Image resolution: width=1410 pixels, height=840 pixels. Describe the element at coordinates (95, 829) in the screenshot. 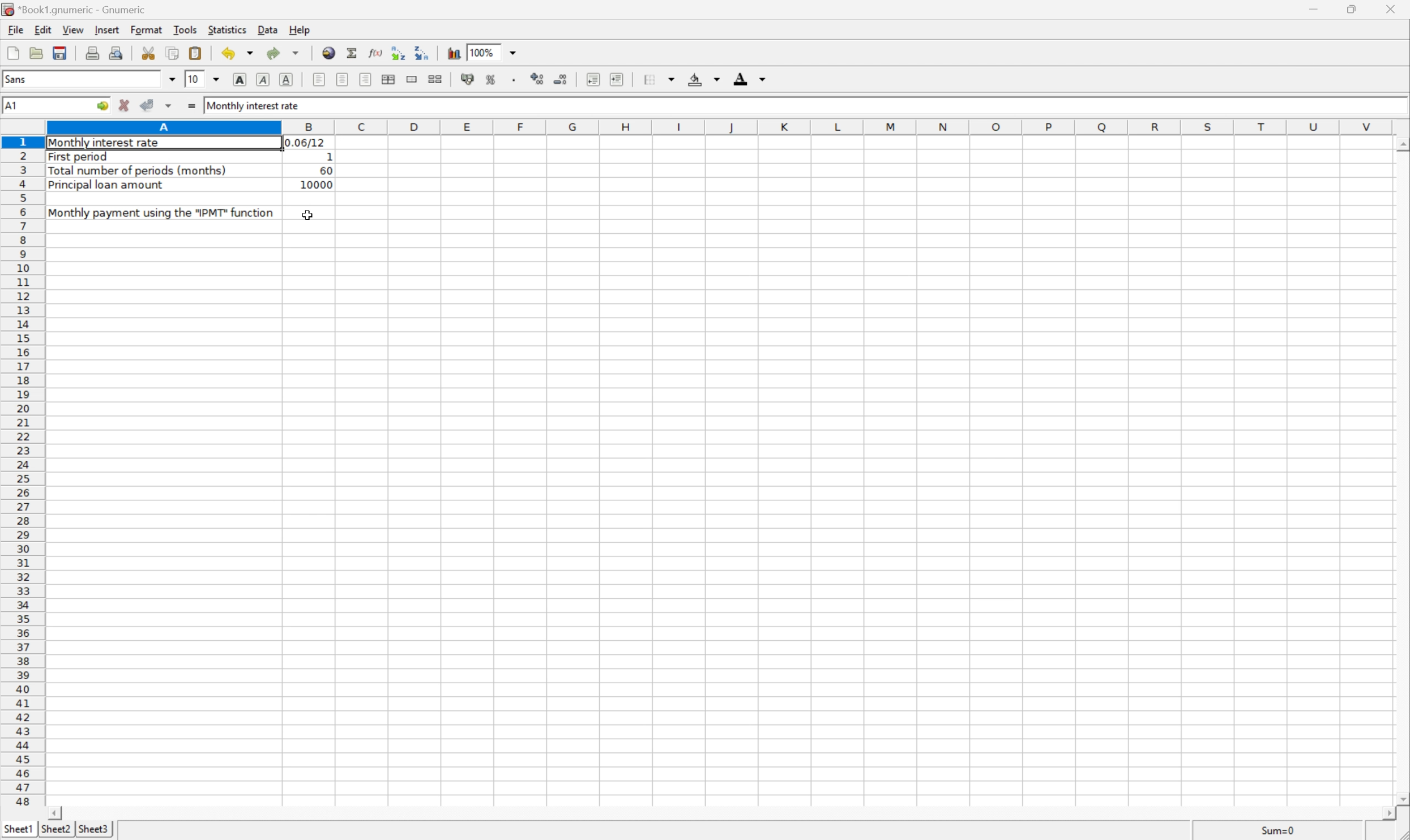

I see `Sheet3` at that location.